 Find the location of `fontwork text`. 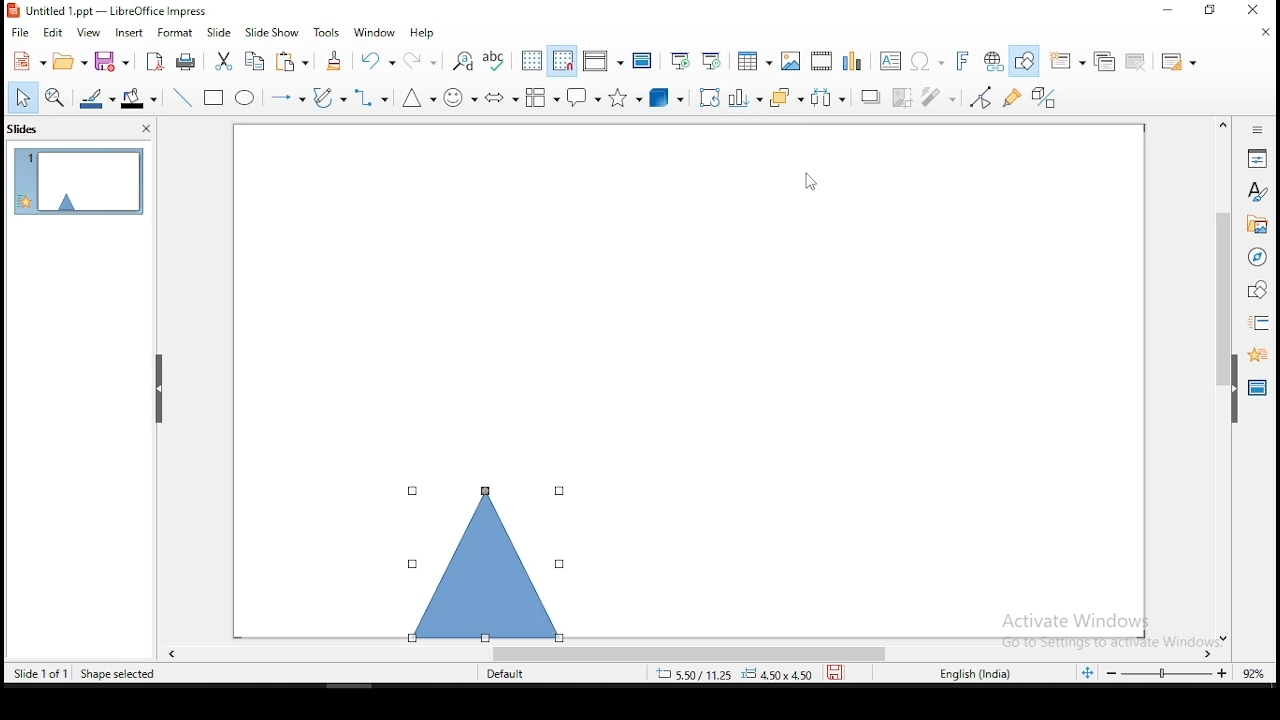

fontwork text is located at coordinates (956, 61).